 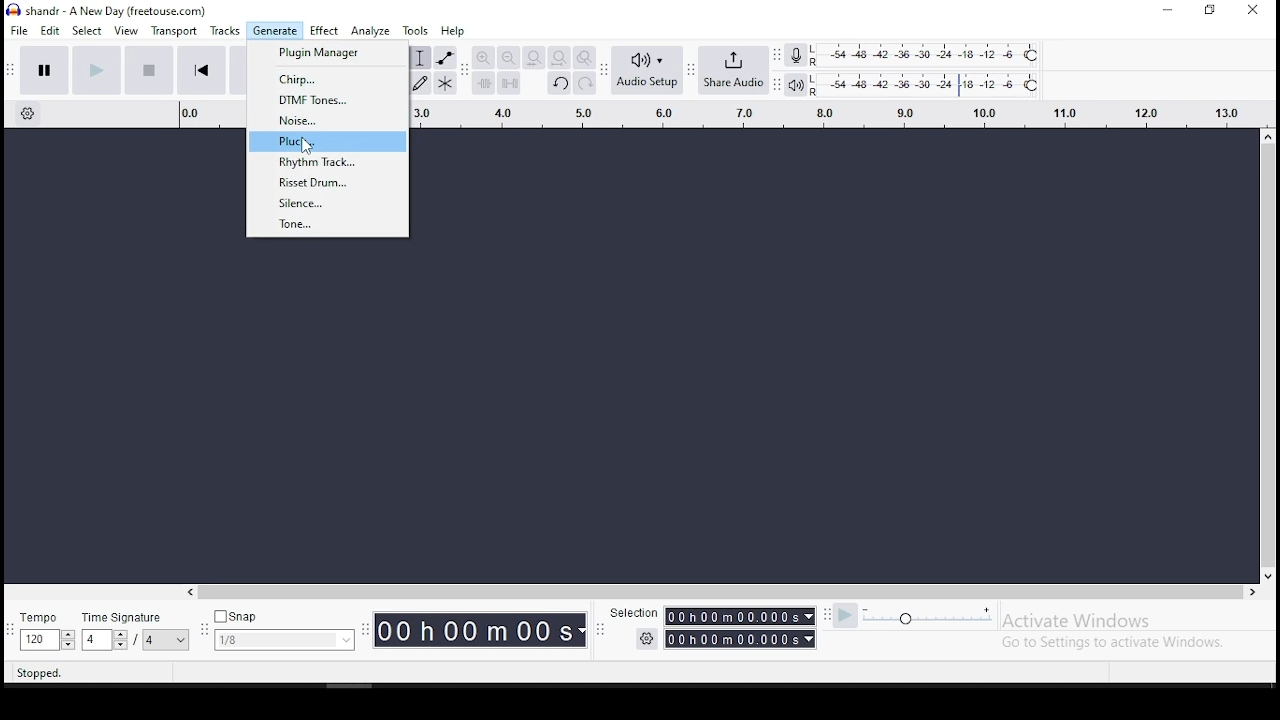 I want to click on record meter, so click(x=795, y=56).